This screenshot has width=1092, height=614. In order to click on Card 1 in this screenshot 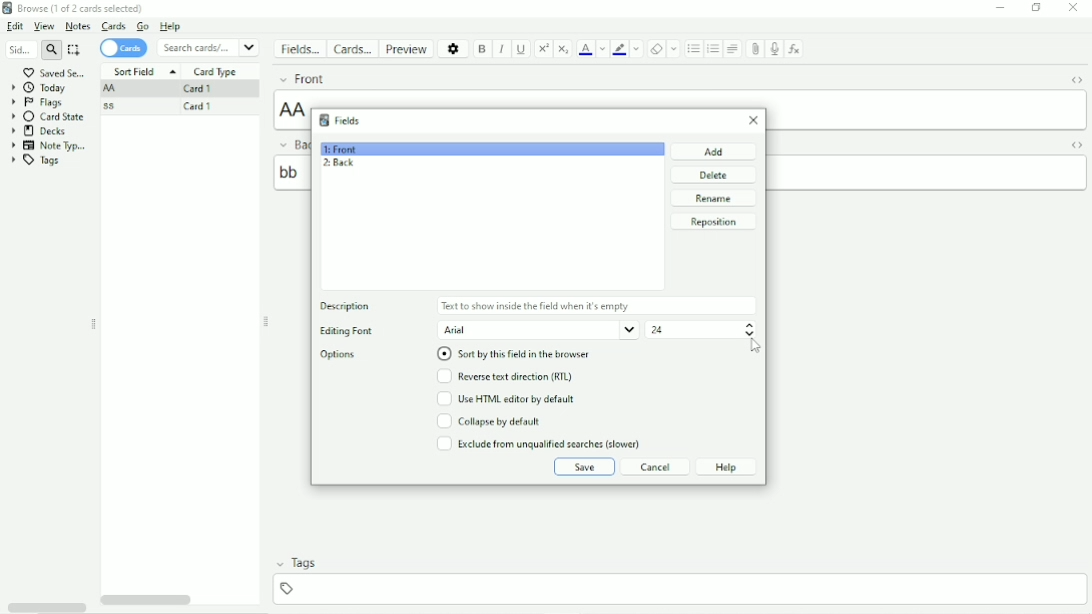, I will do `click(203, 89)`.